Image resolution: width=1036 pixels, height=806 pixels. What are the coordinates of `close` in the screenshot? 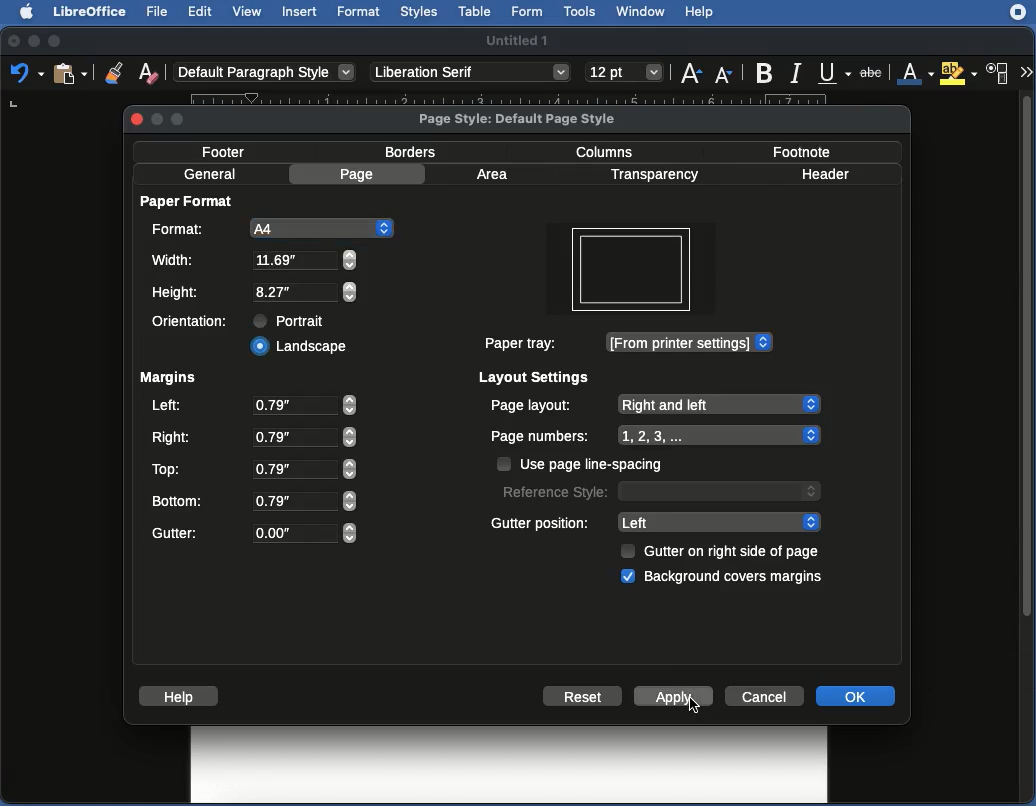 It's located at (134, 120).